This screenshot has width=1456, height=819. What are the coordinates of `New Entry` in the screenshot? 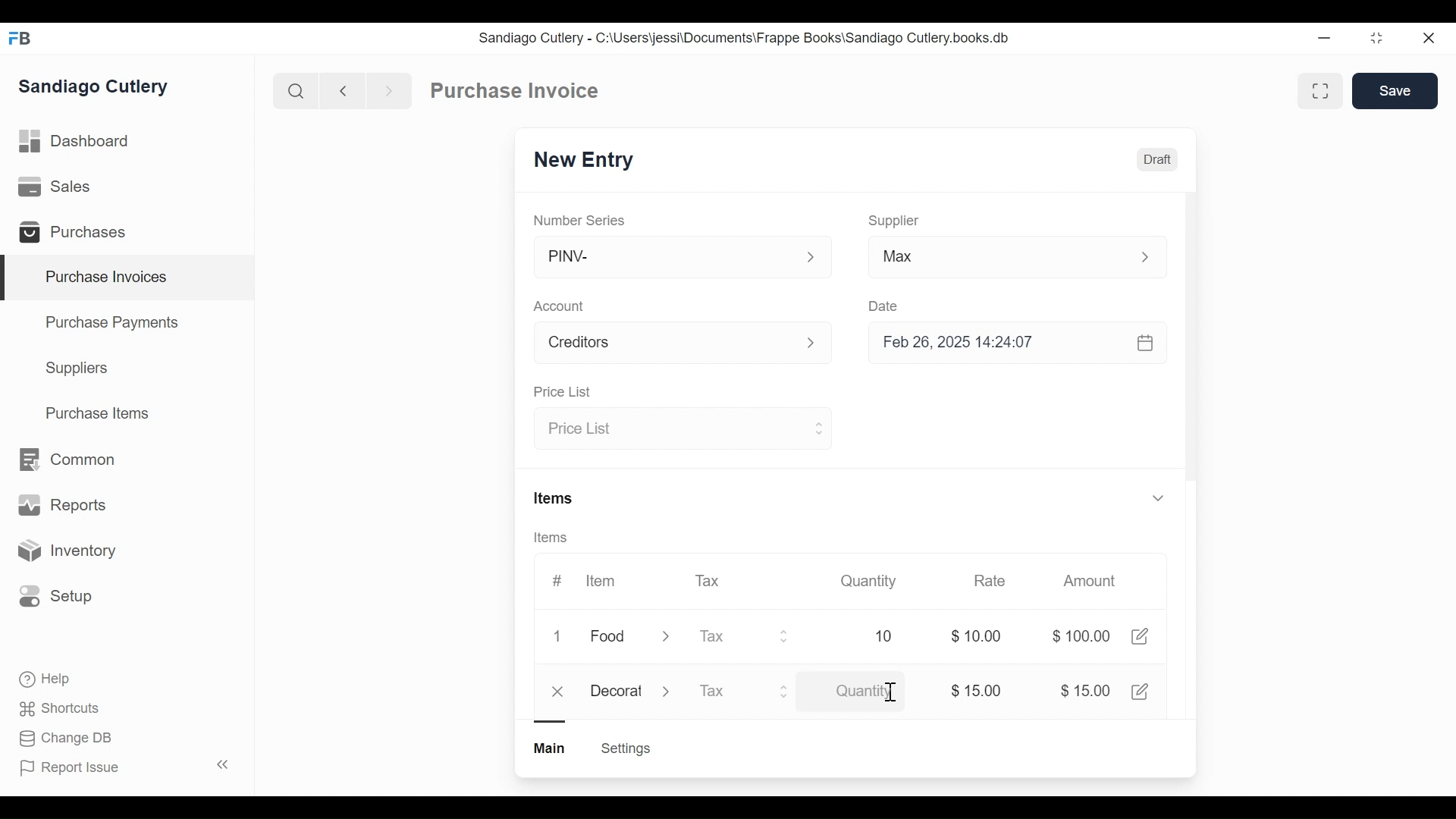 It's located at (588, 161).